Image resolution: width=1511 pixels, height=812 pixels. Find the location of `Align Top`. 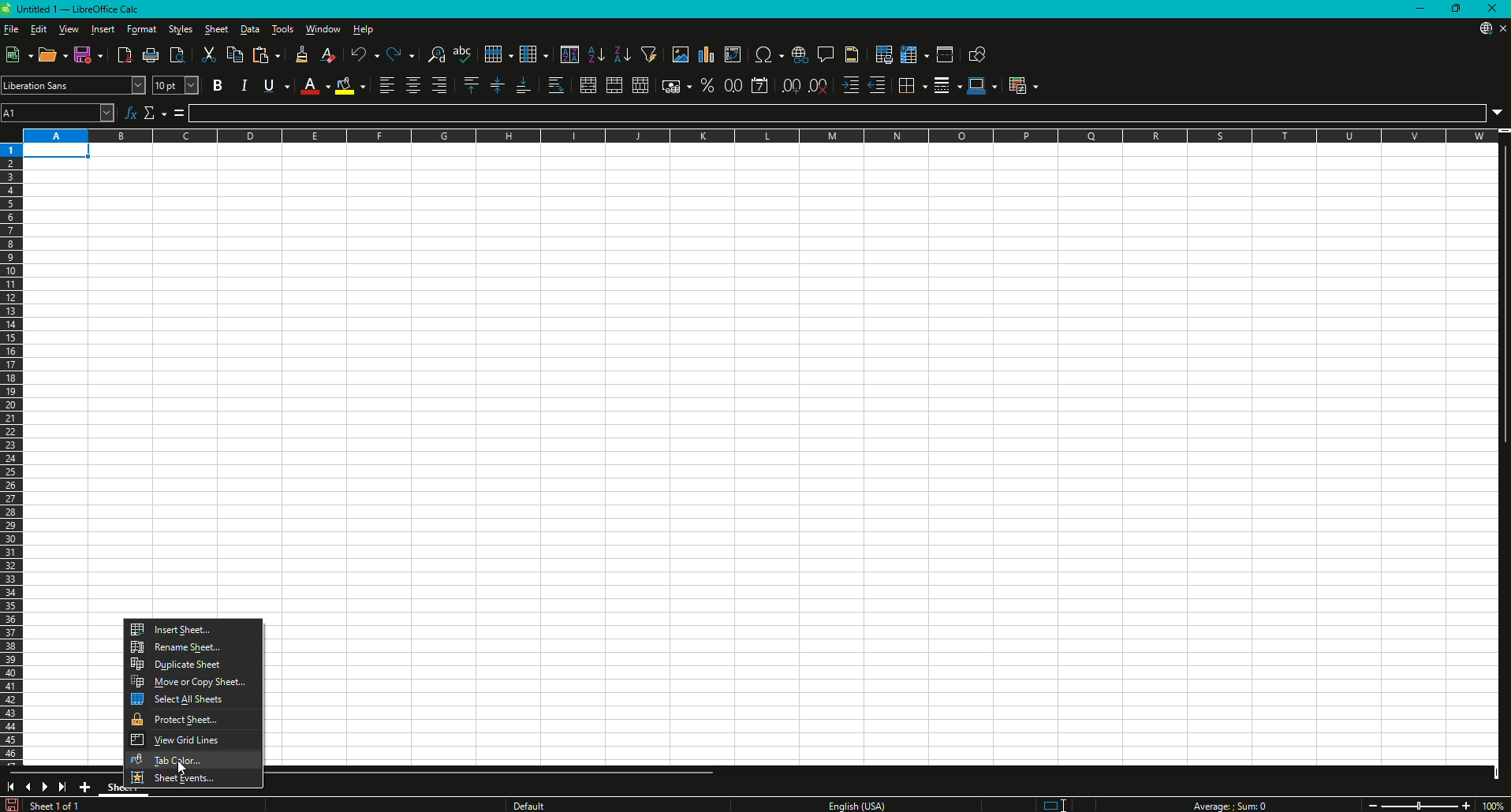

Align Top is located at coordinates (472, 85).